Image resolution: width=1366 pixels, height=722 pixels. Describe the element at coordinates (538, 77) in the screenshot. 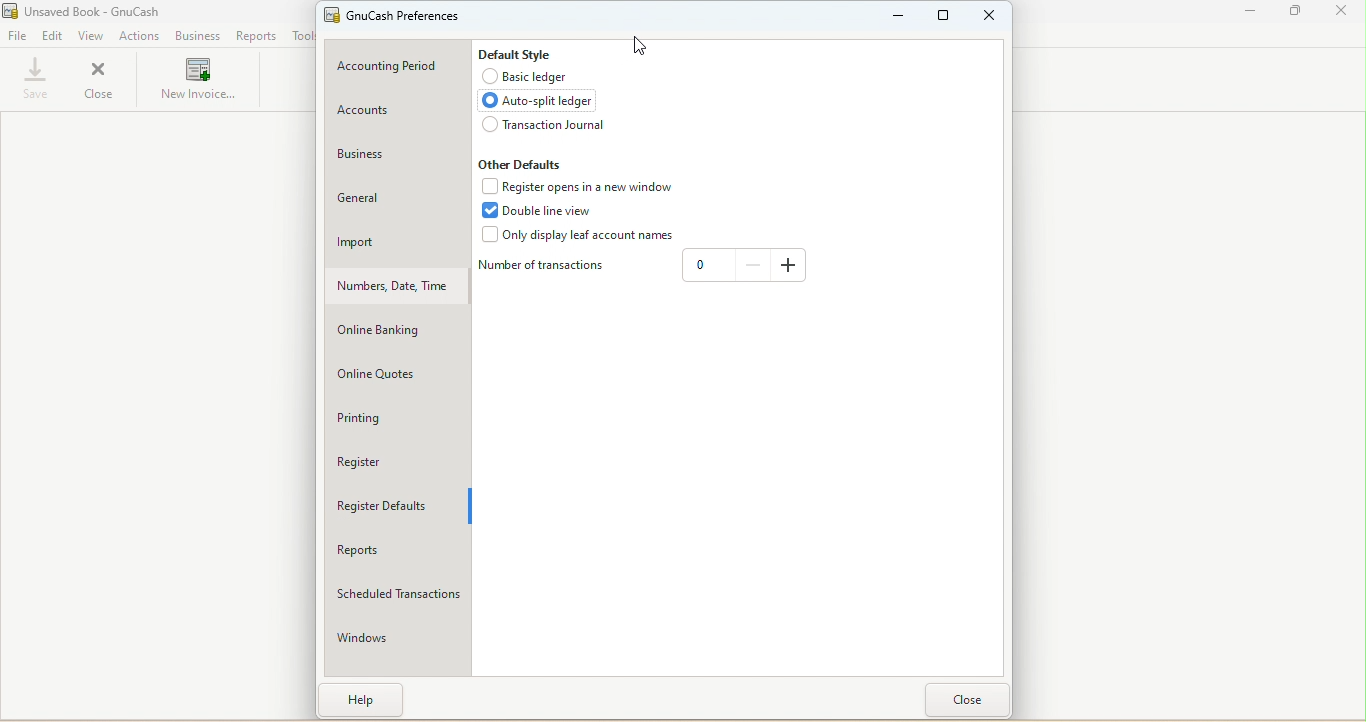

I see `Basic ledger` at that location.